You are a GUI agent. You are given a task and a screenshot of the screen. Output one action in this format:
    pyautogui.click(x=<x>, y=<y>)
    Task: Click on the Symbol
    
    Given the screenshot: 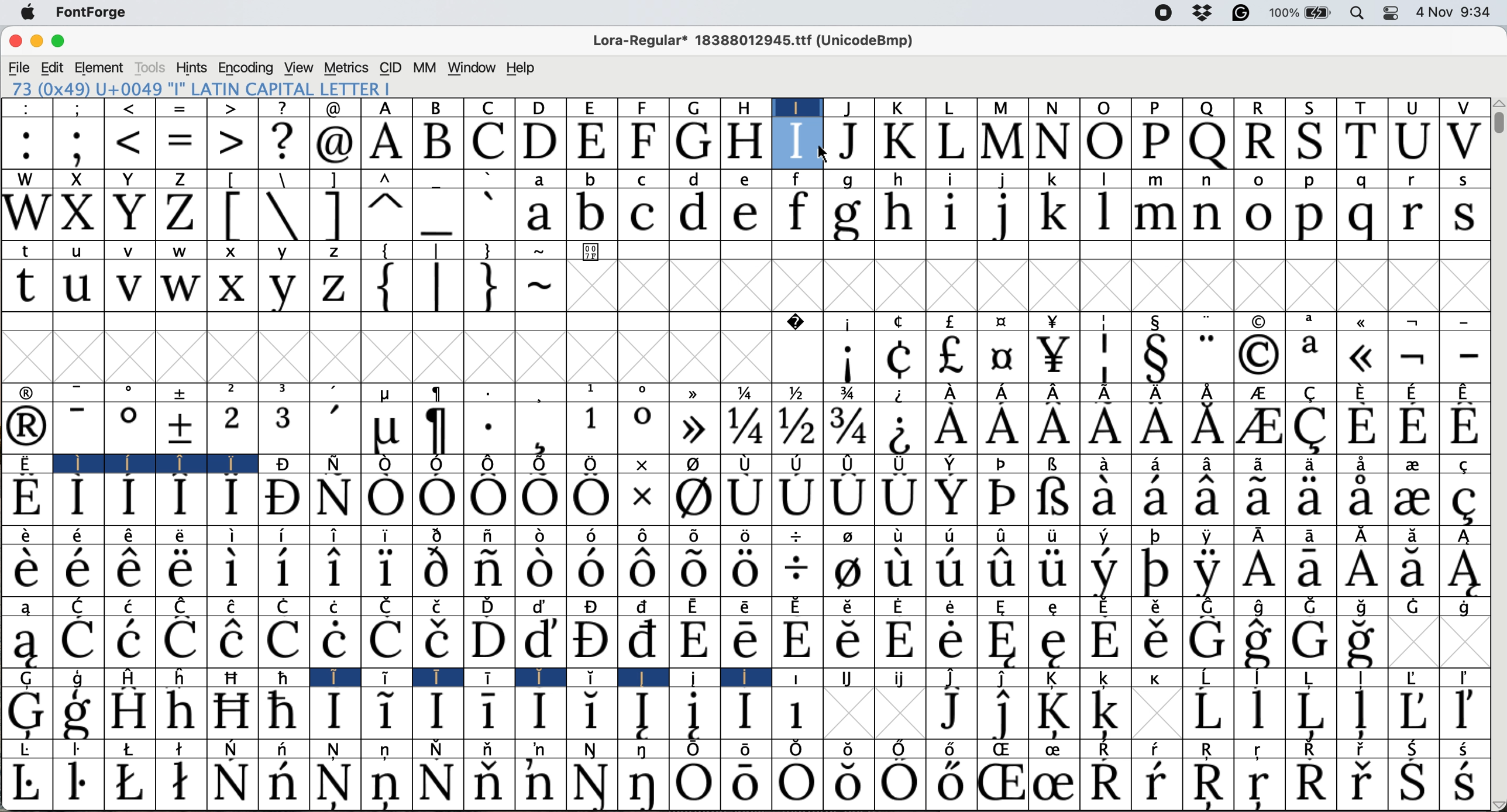 What is the action you would take?
    pyautogui.click(x=23, y=713)
    